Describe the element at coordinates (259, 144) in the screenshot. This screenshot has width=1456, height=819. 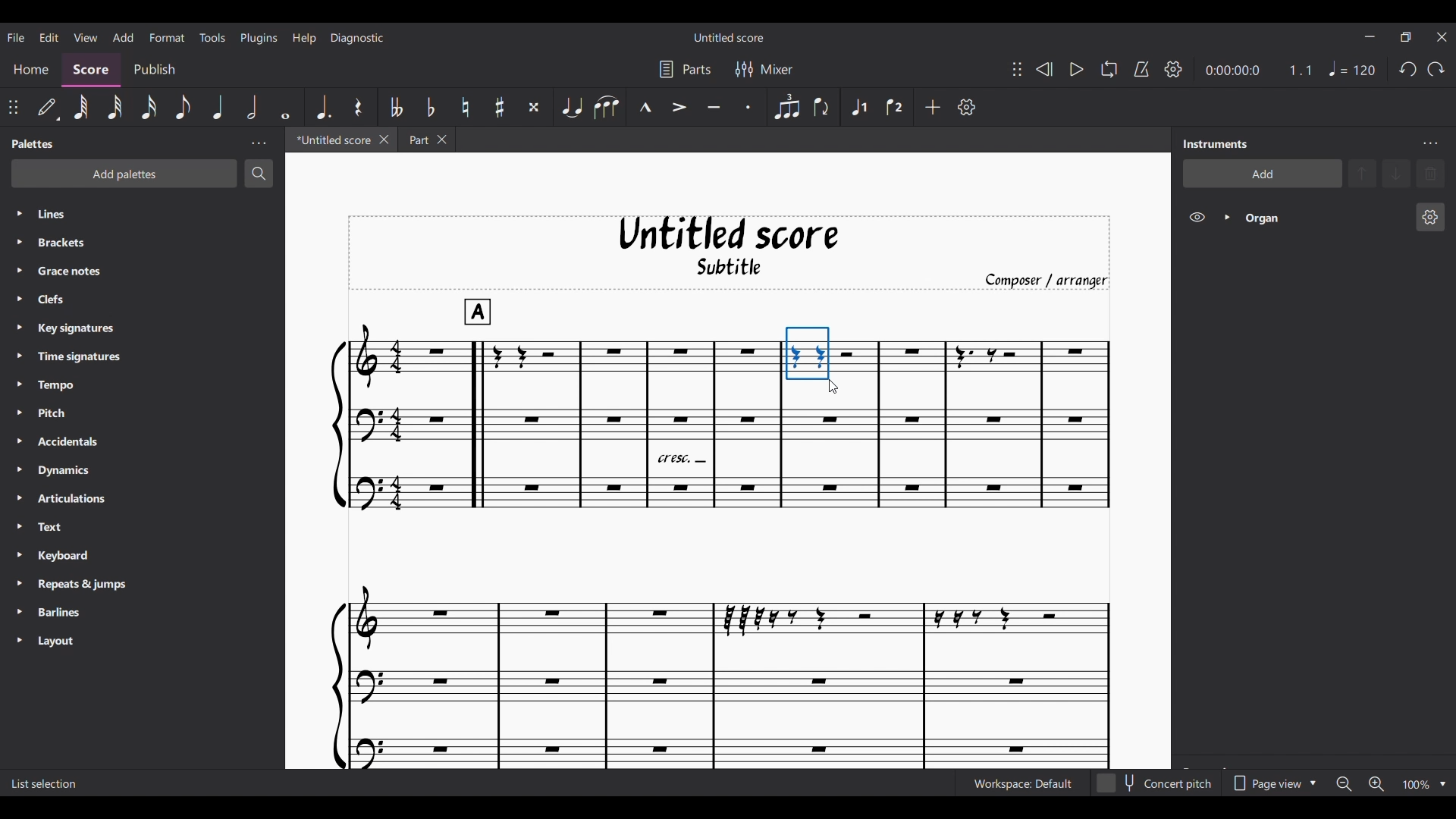
I see `Palette panel settings` at that location.